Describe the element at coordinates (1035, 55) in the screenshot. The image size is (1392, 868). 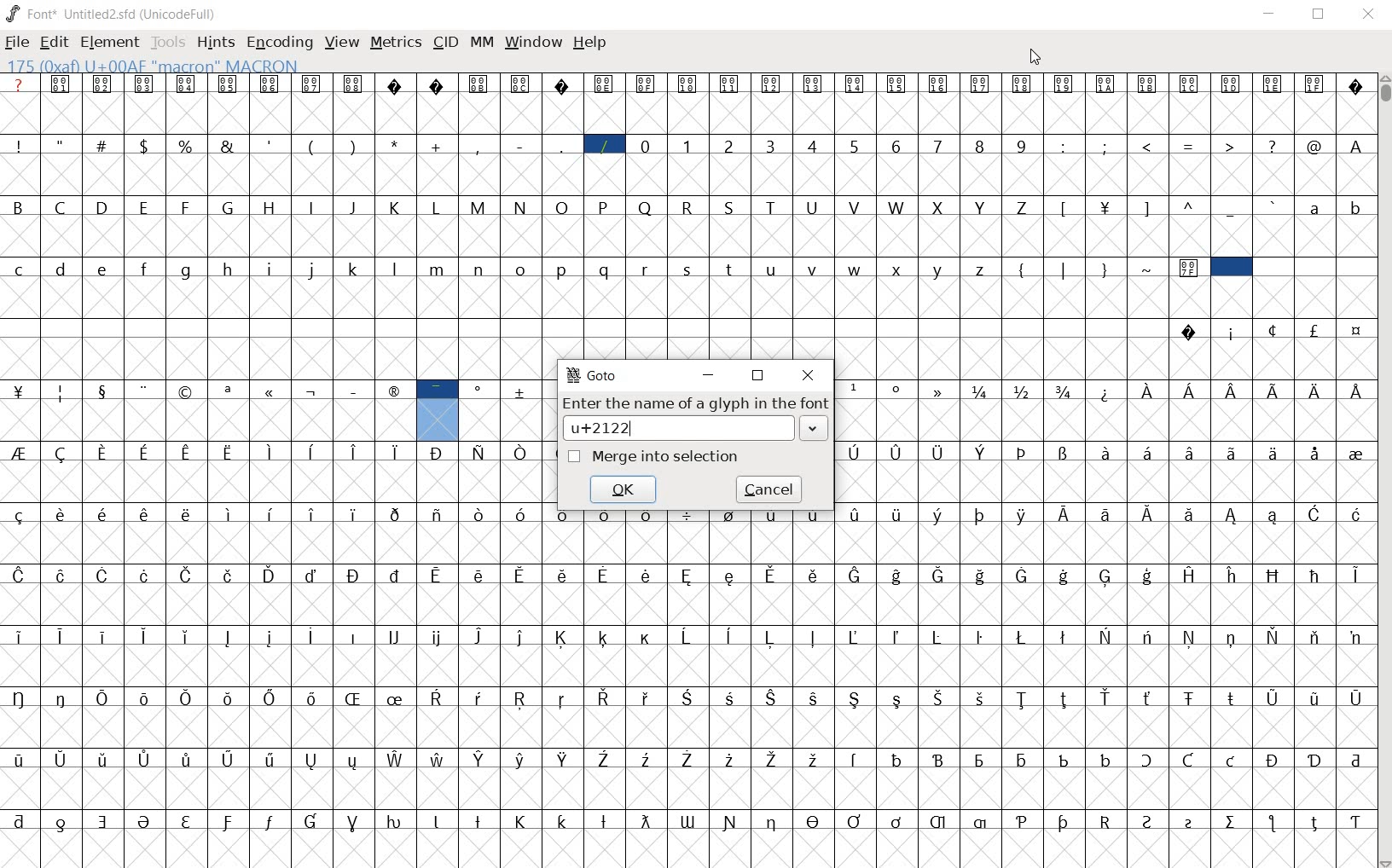
I see `CURSOR` at that location.